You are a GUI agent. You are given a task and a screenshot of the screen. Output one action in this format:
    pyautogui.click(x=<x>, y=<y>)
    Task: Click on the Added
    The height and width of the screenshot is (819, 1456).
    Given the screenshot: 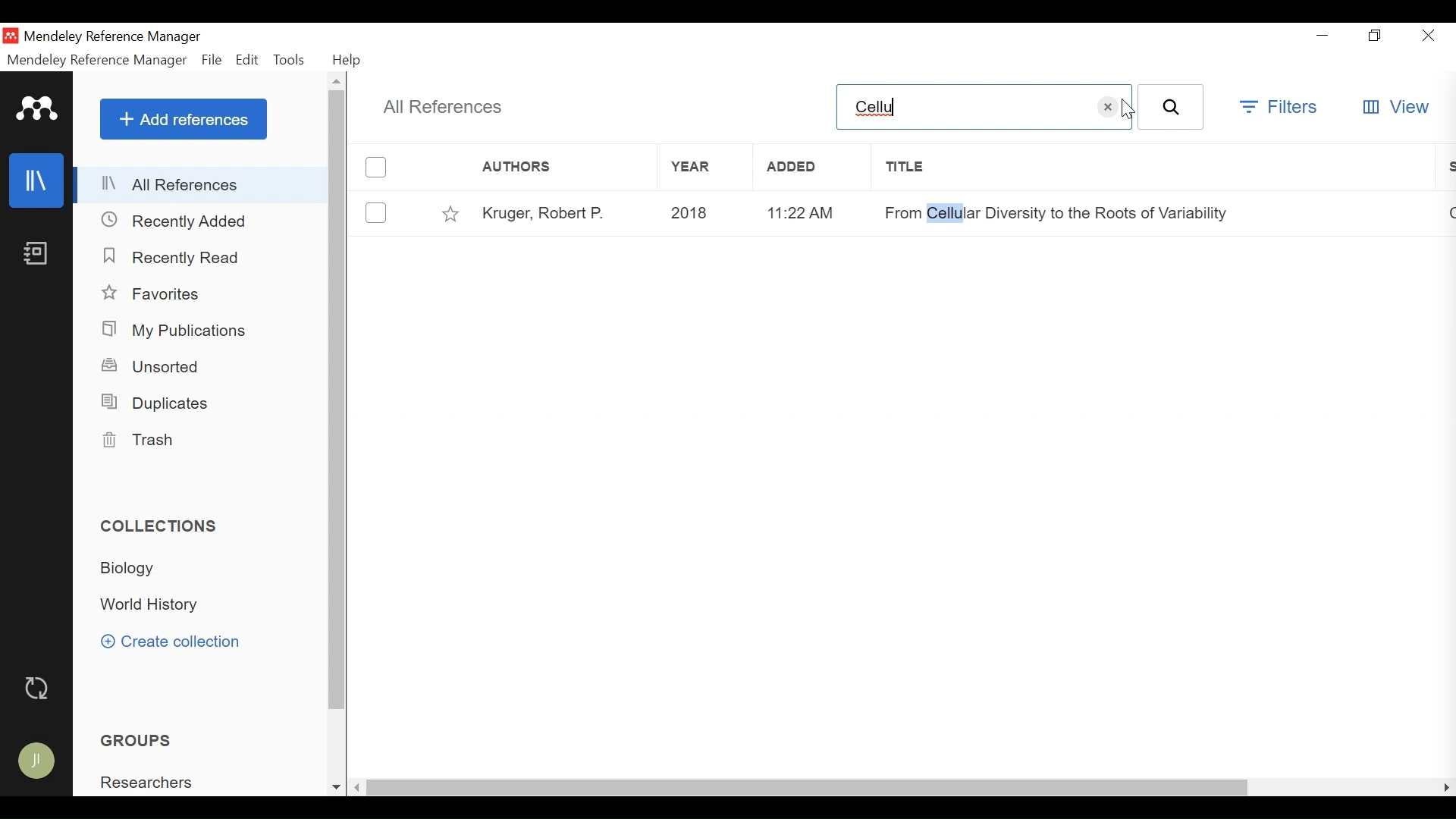 What is the action you would take?
    pyautogui.click(x=808, y=166)
    